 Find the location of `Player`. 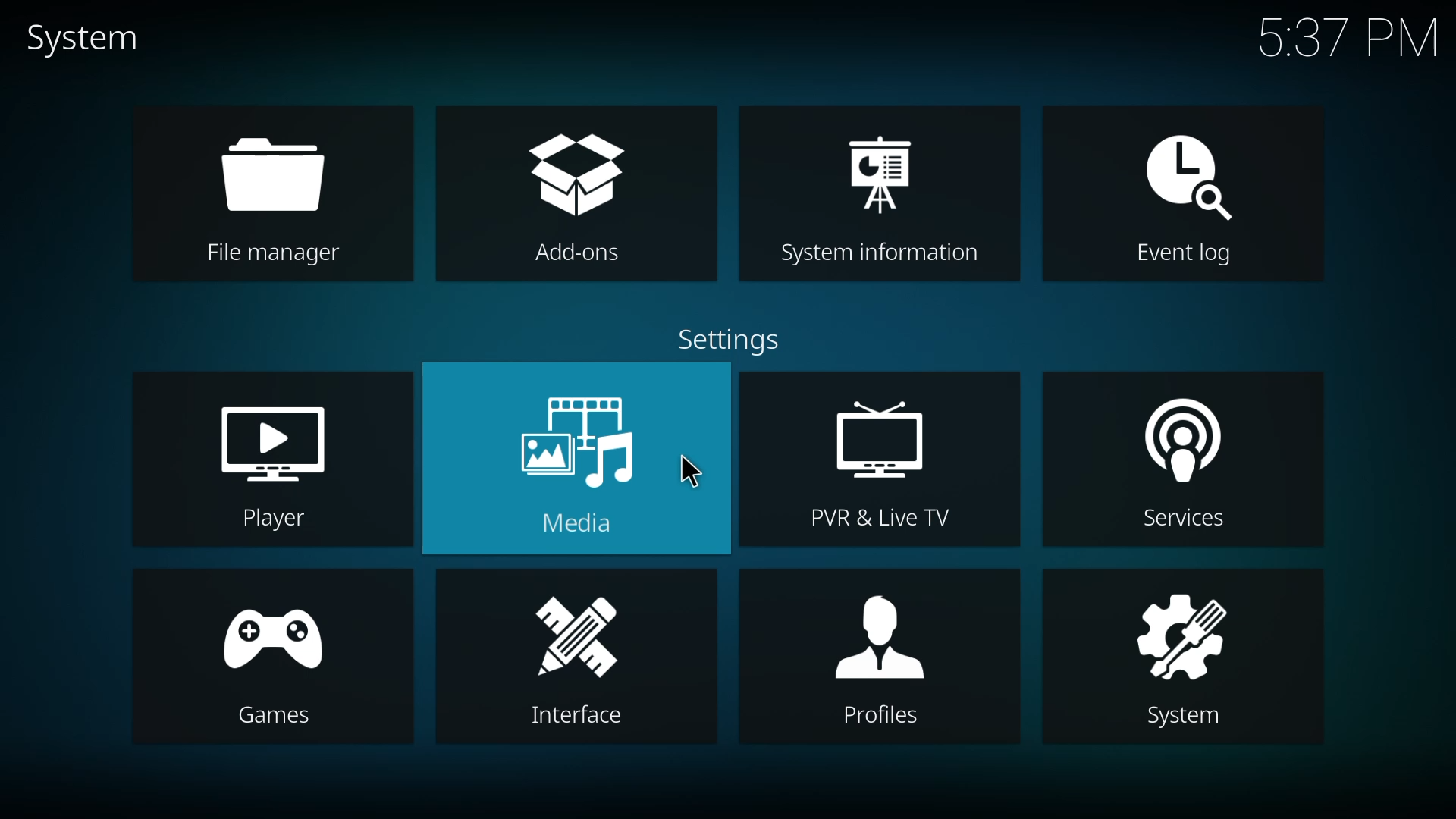

Player is located at coordinates (281, 520).